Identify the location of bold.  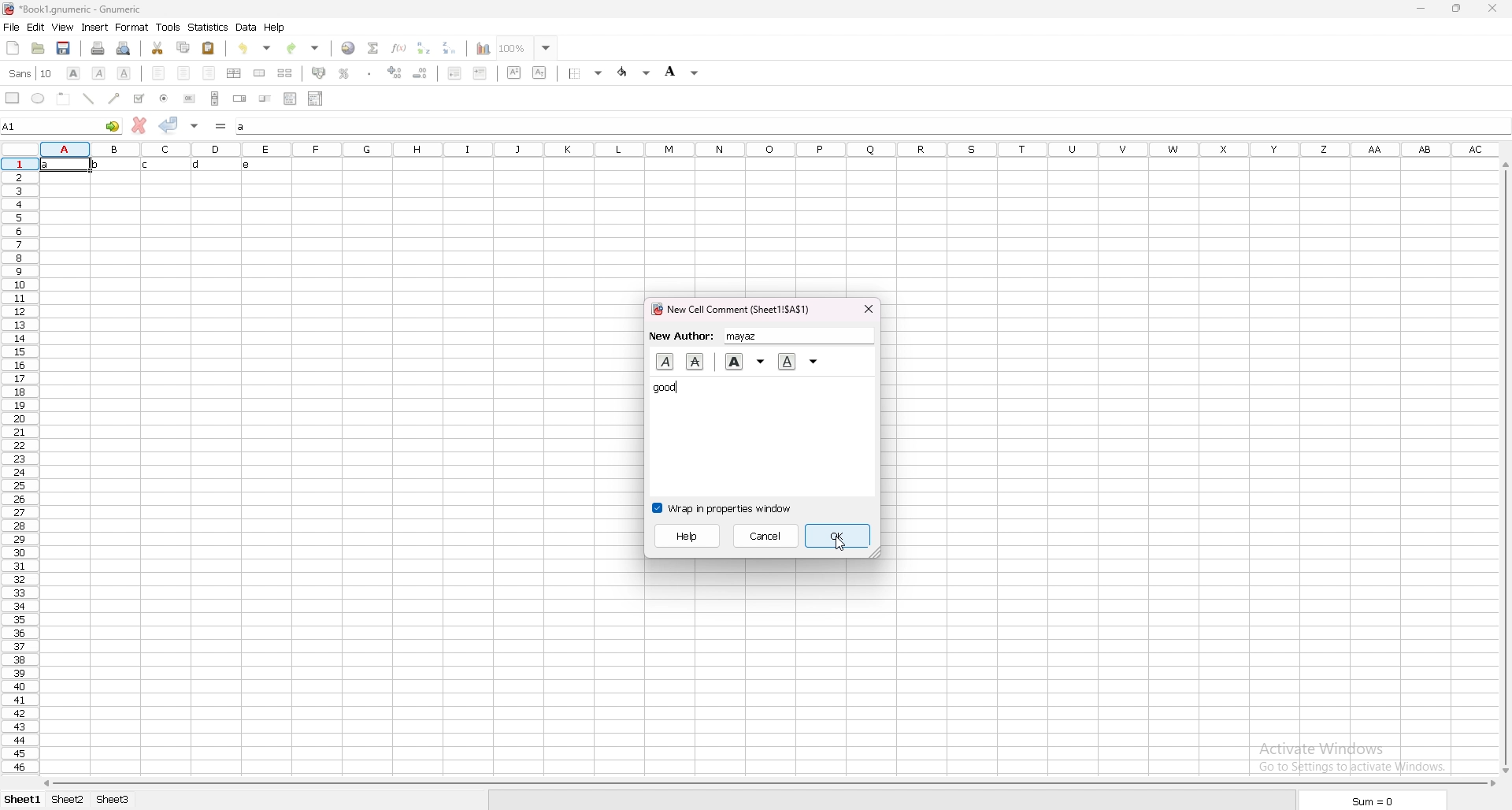
(746, 362).